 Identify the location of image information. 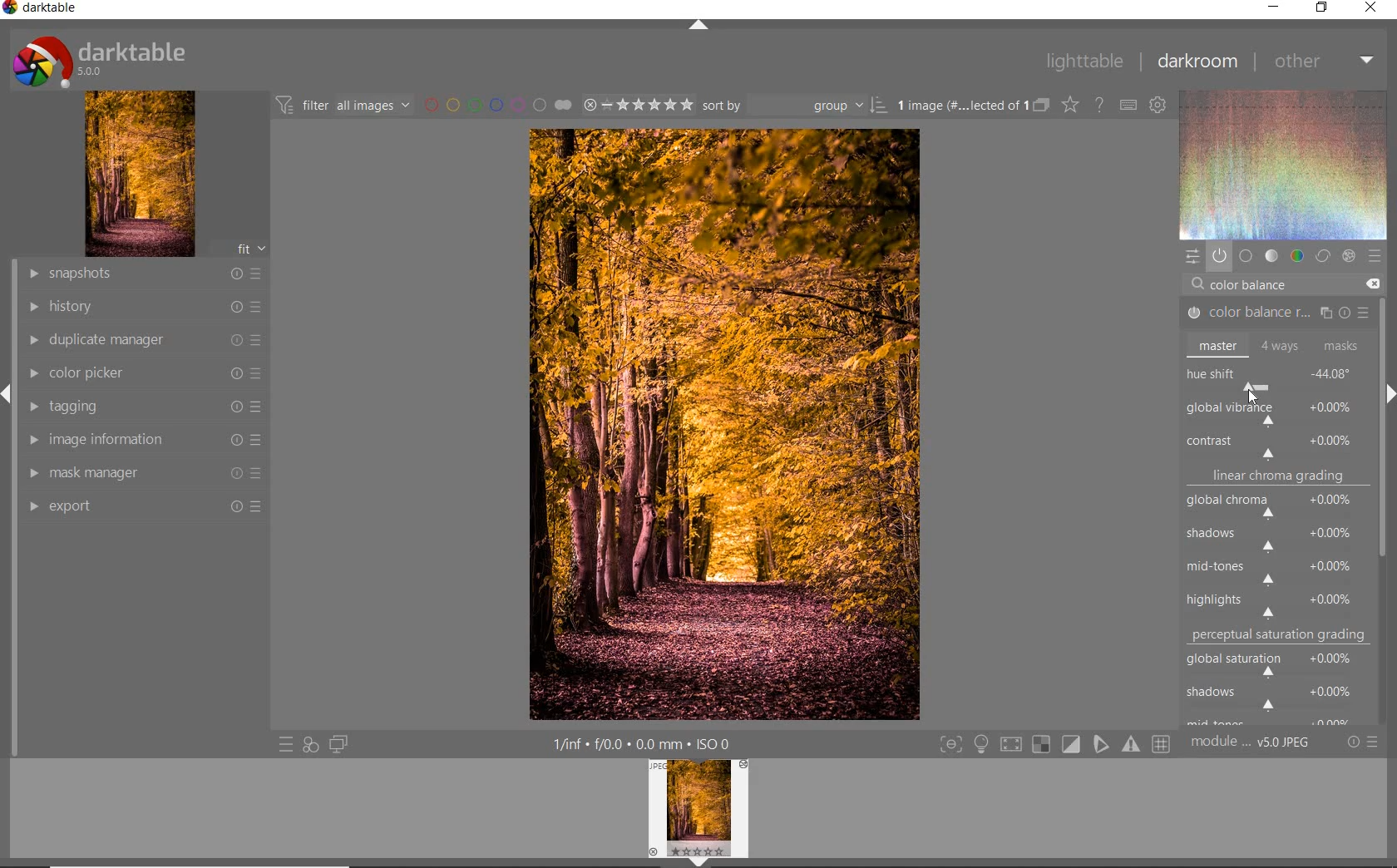
(141, 439).